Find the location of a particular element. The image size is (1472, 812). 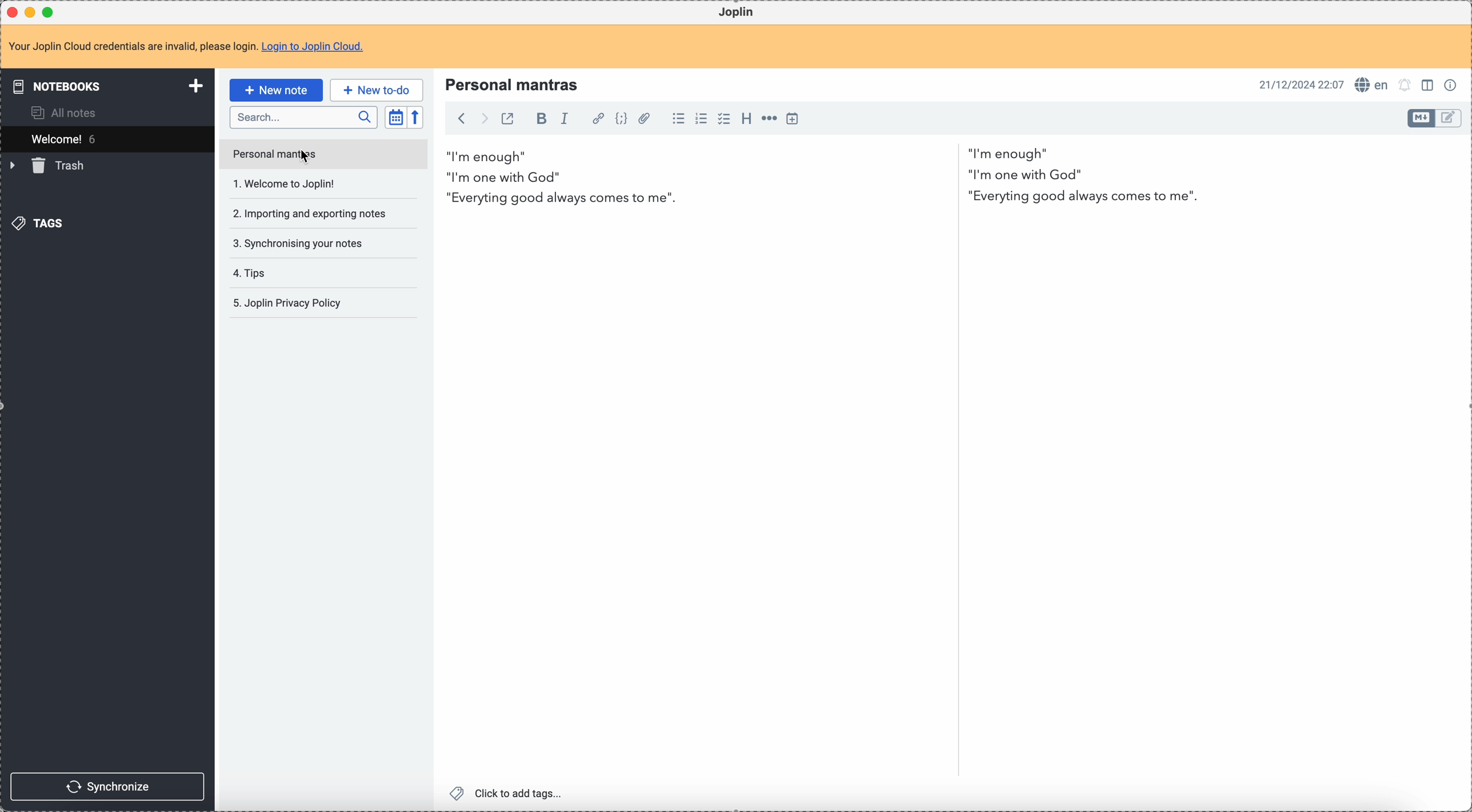

set alarm is located at coordinates (1406, 84).